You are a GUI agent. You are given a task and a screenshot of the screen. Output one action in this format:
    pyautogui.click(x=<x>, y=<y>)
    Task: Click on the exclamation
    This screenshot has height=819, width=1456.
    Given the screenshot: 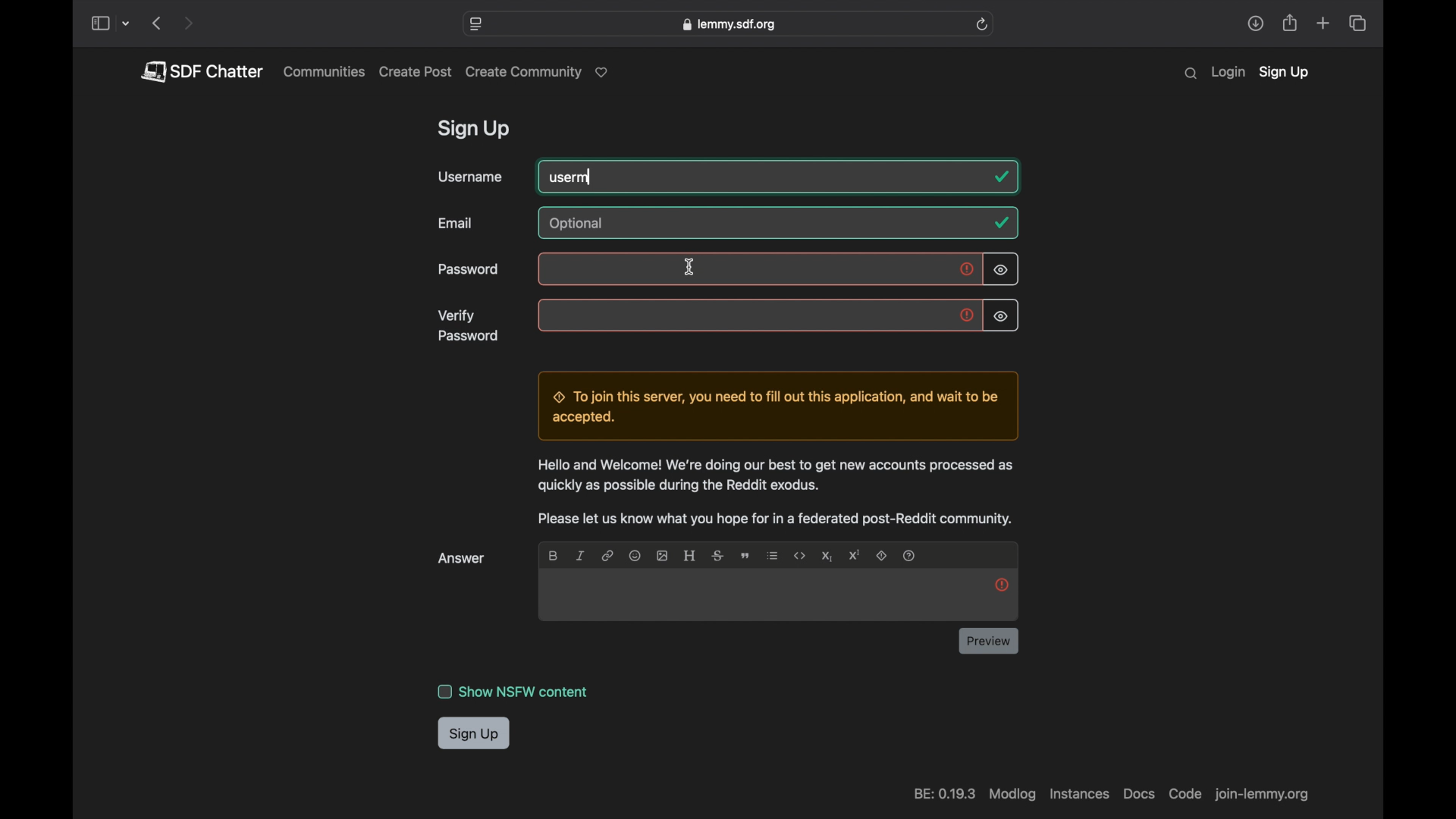 What is the action you would take?
    pyautogui.click(x=968, y=316)
    